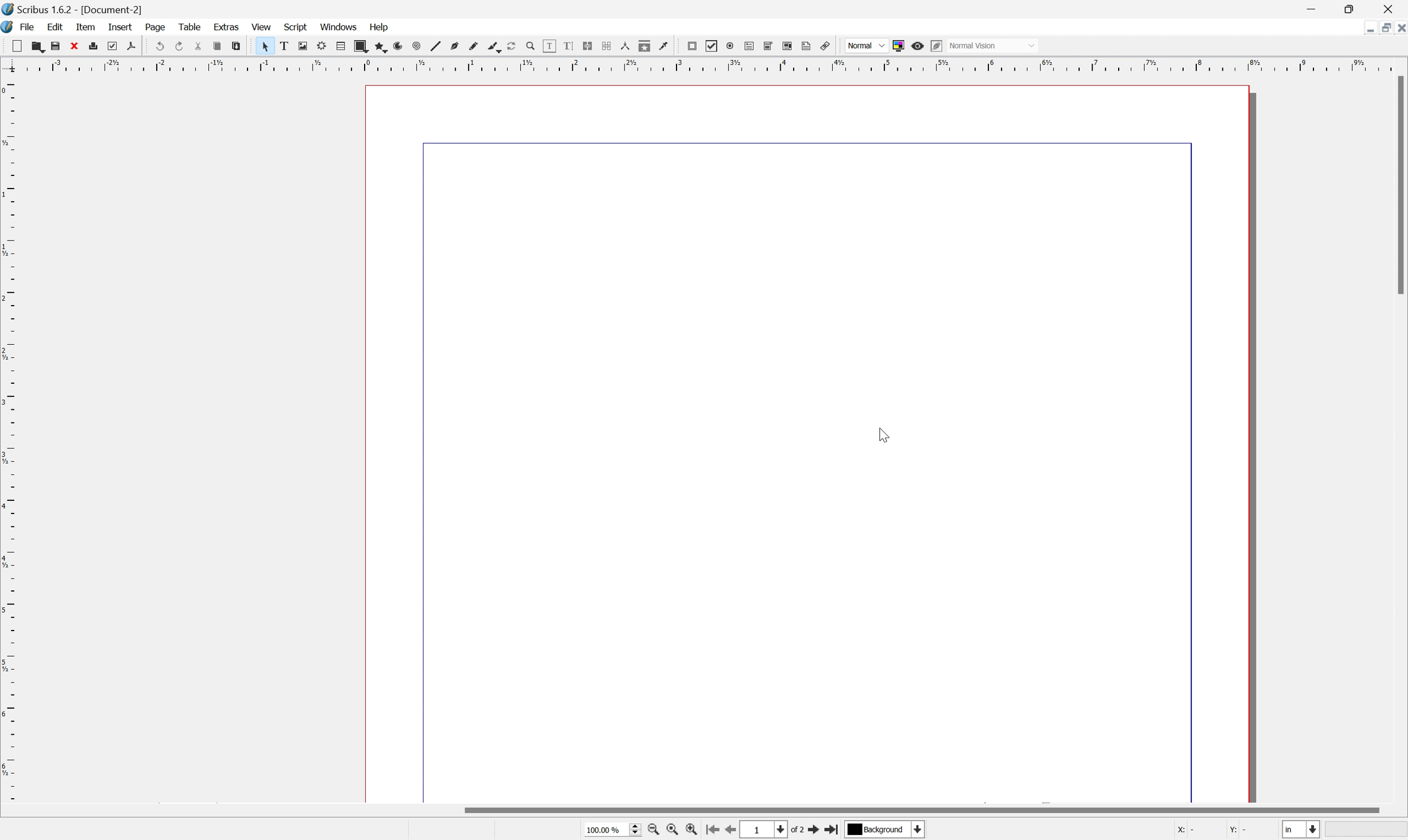 This screenshot has height=840, width=1408. I want to click on New, so click(16, 46).